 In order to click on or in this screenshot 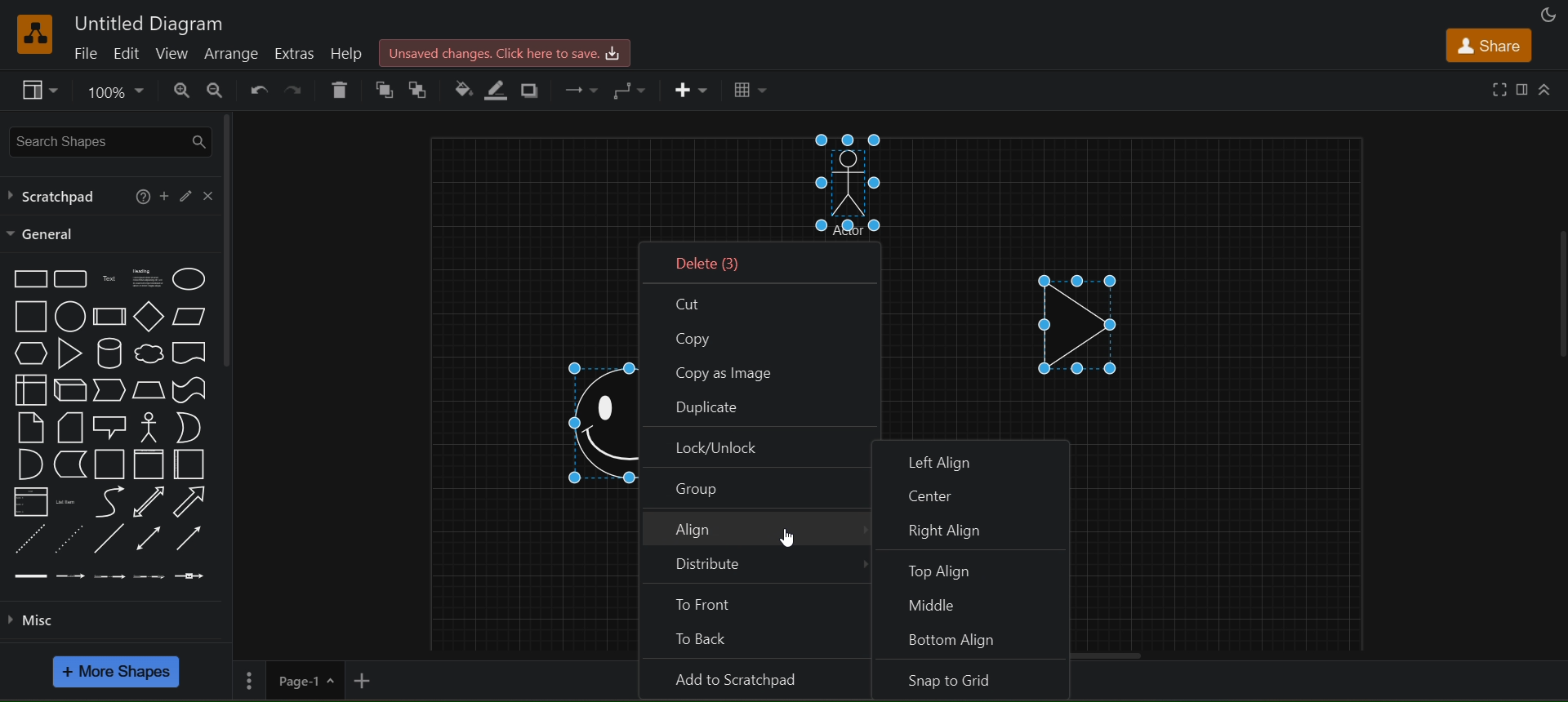, I will do `click(185, 427)`.